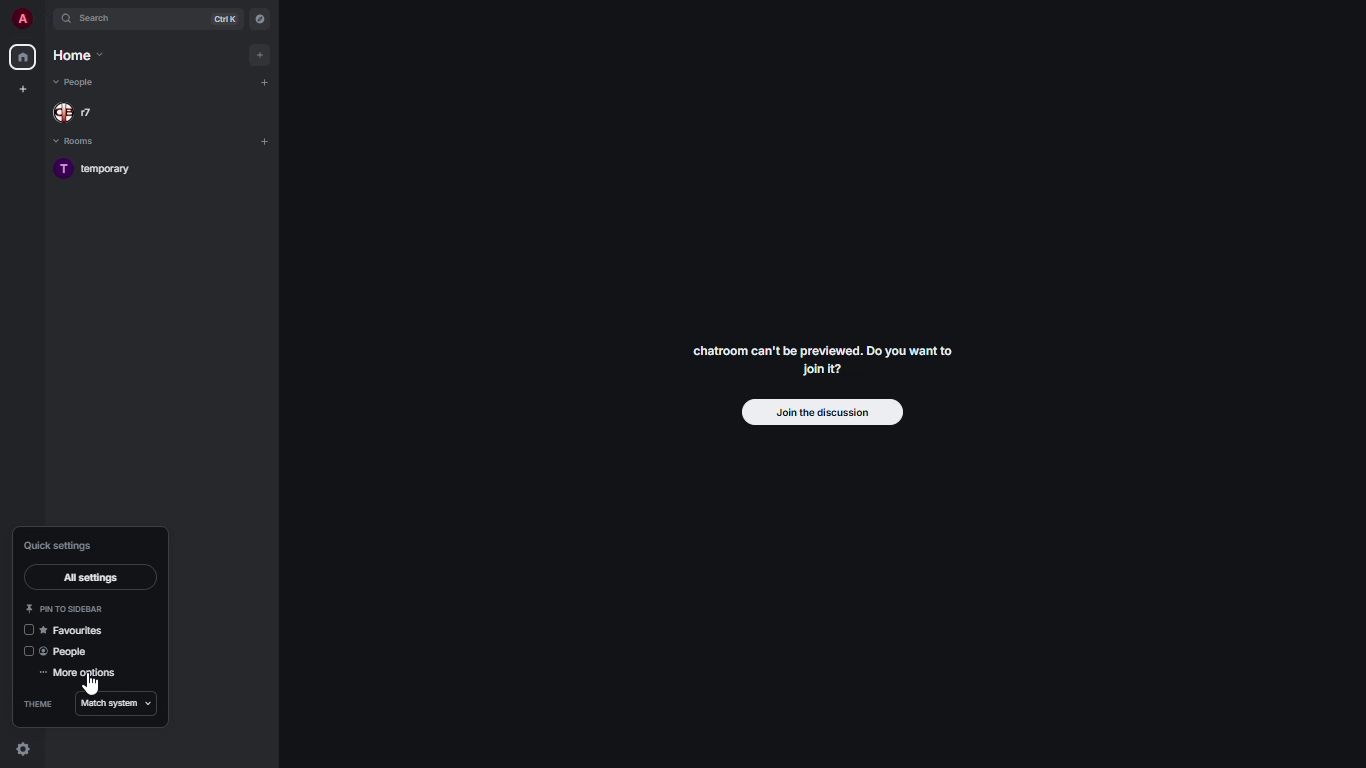 Image resolution: width=1366 pixels, height=768 pixels. Describe the element at coordinates (258, 19) in the screenshot. I see `navigator` at that location.